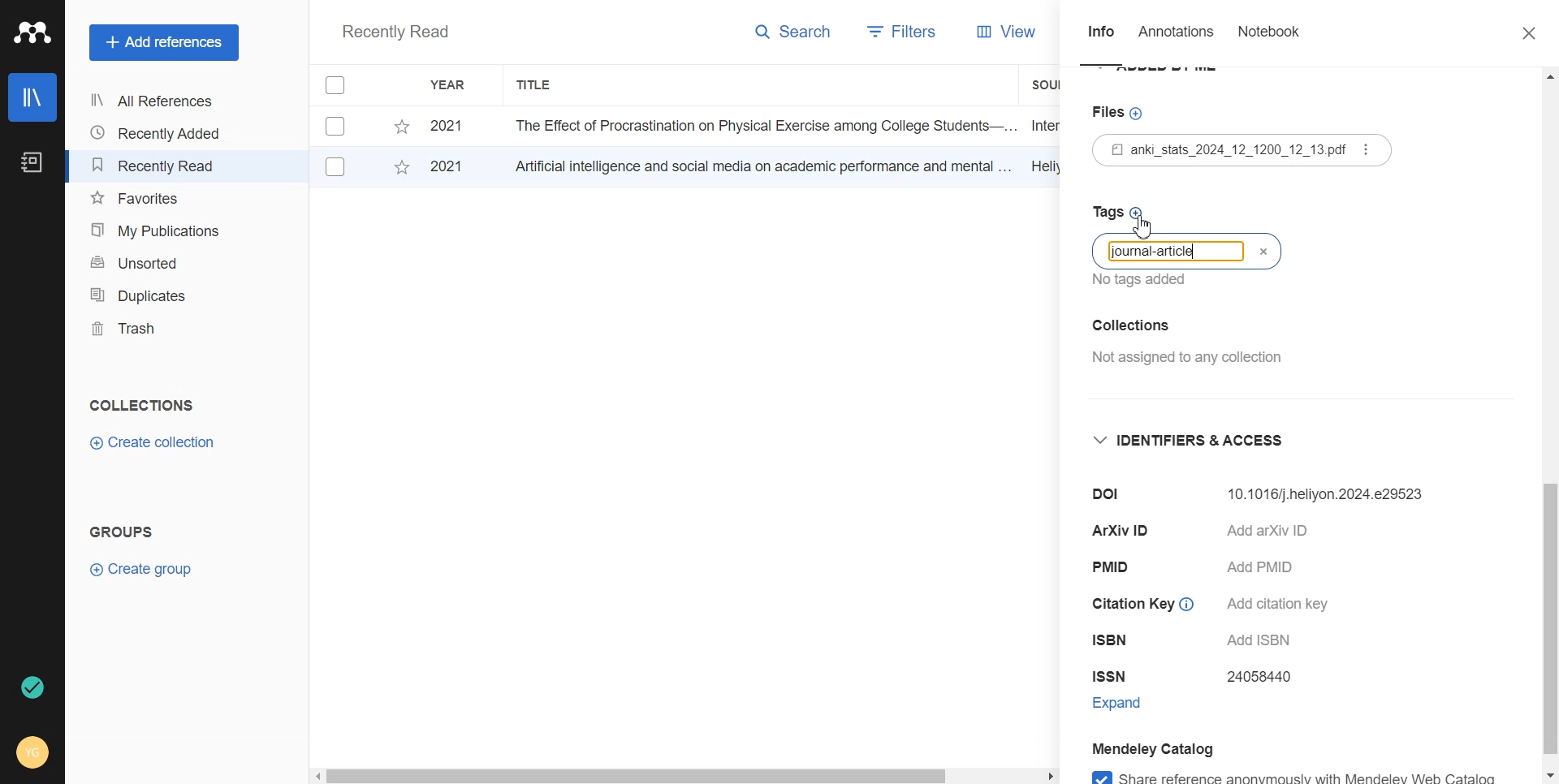 The height and width of the screenshot is (784, 1559). Describe the element at coordinates (142, 567) in the screenshot. I see `Create group` at that location.